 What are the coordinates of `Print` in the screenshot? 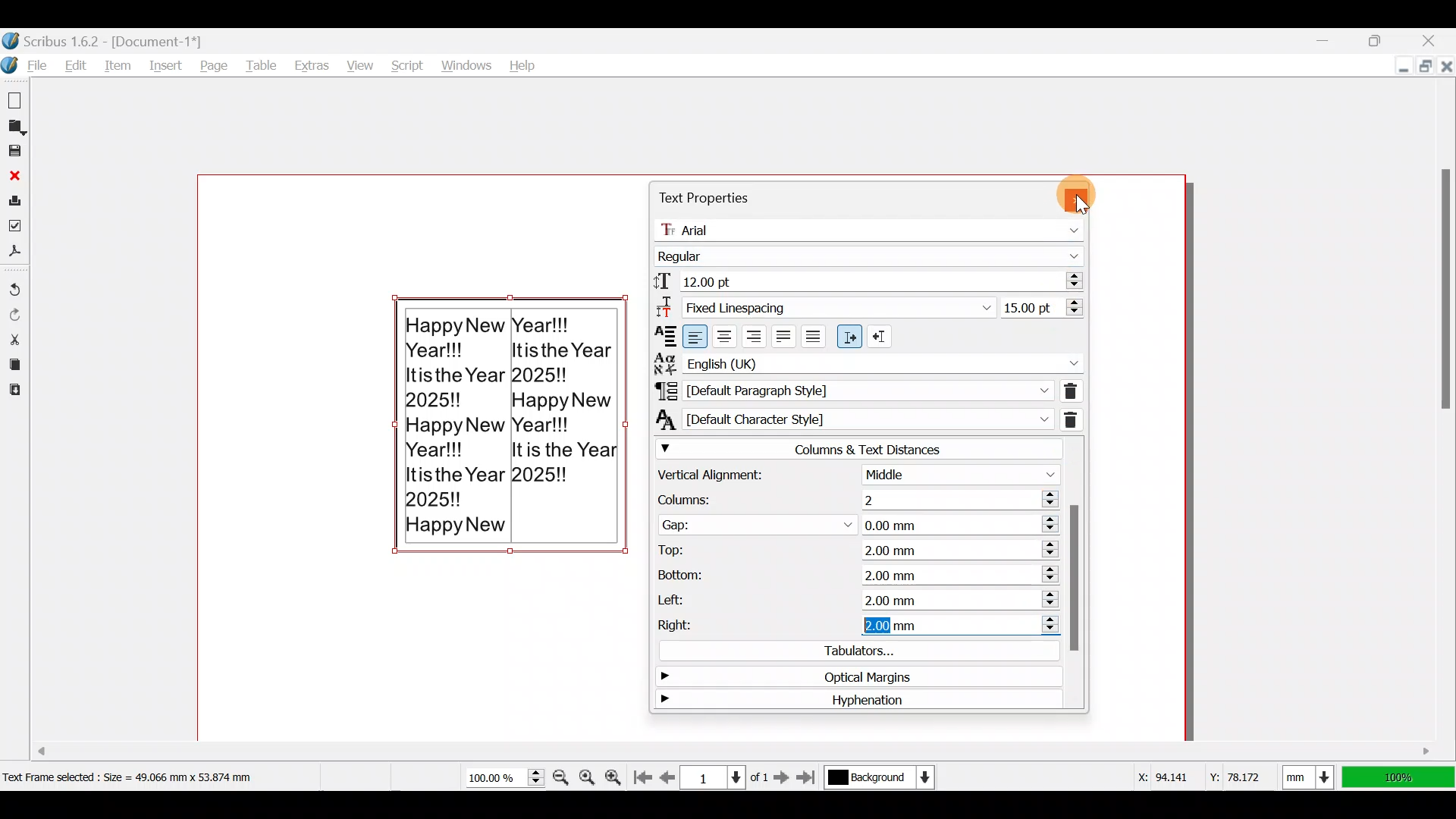 It's located at (15, 200).